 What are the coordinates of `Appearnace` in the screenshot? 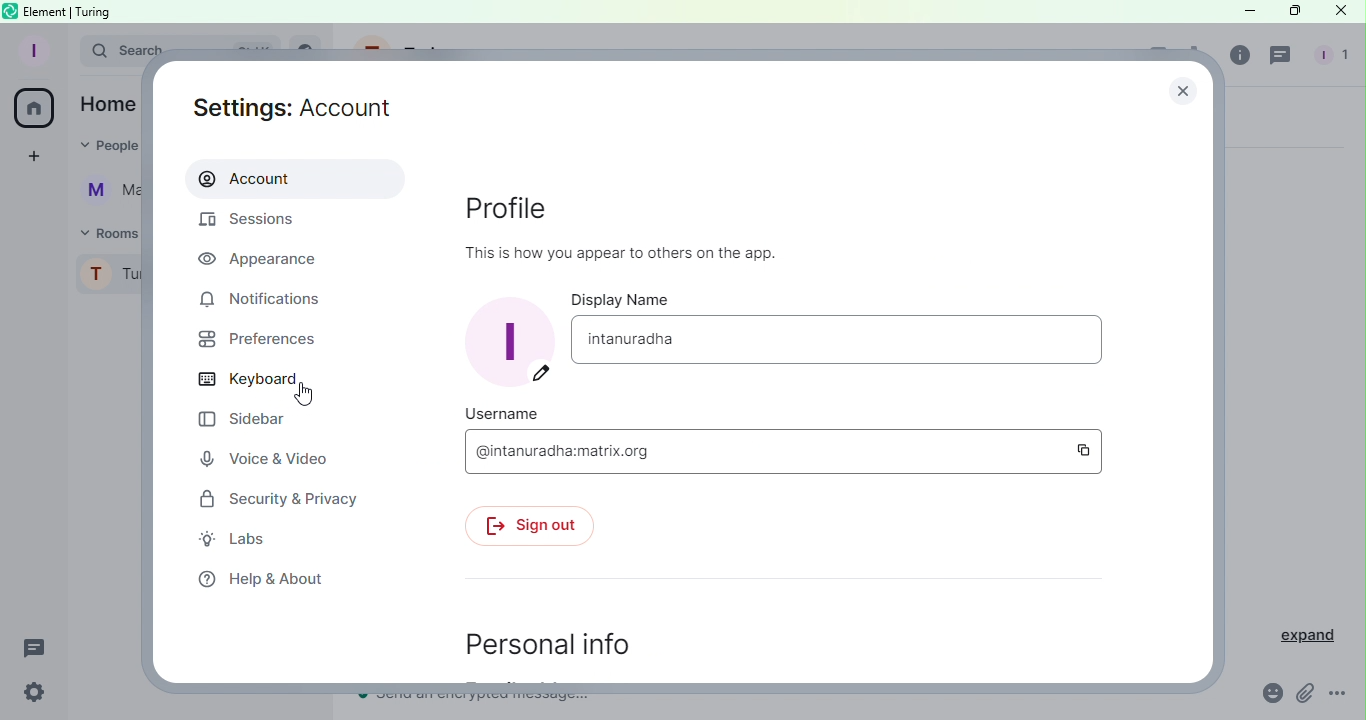 It's located at (262, 259).